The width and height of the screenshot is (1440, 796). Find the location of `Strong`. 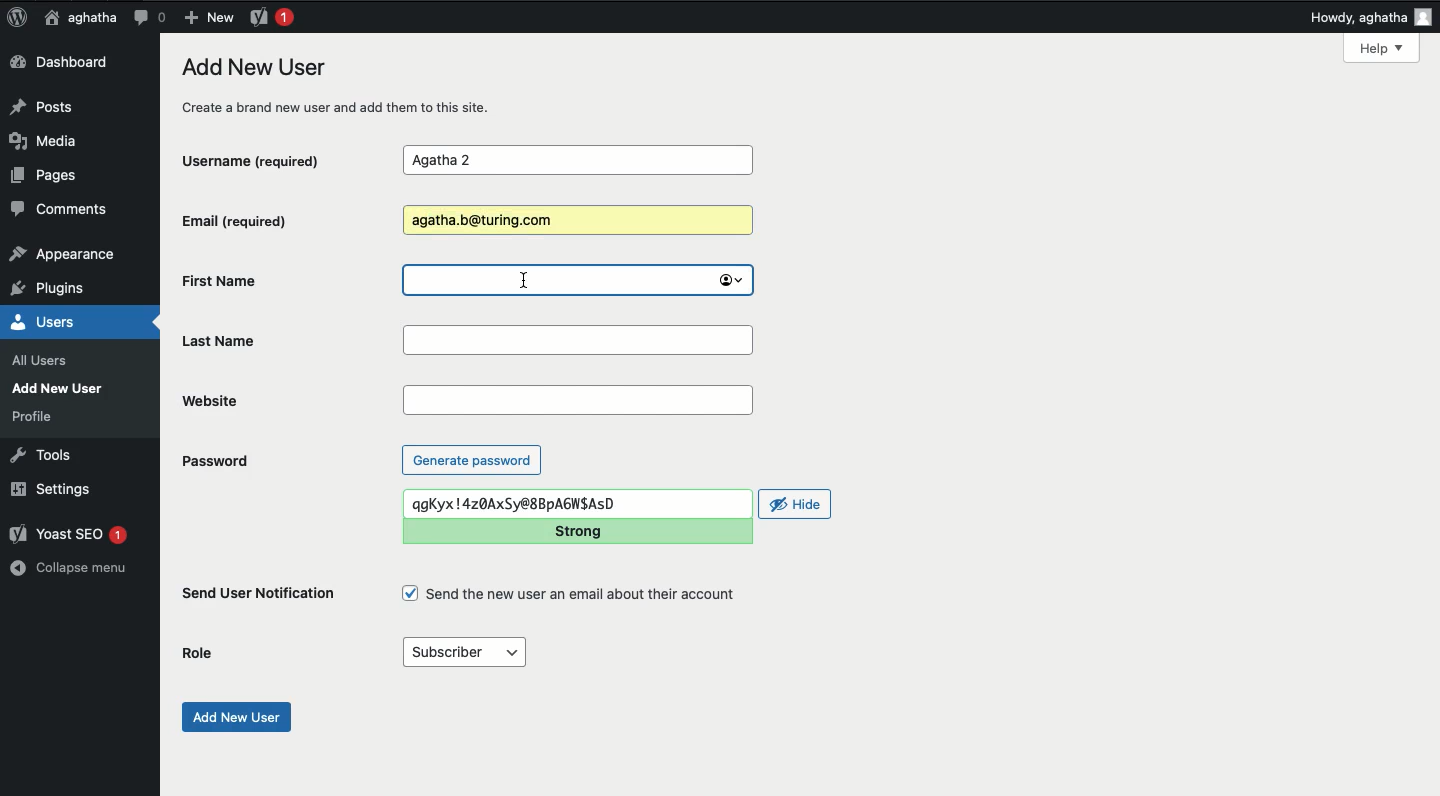

Strong is located at coordinates (578, 531).